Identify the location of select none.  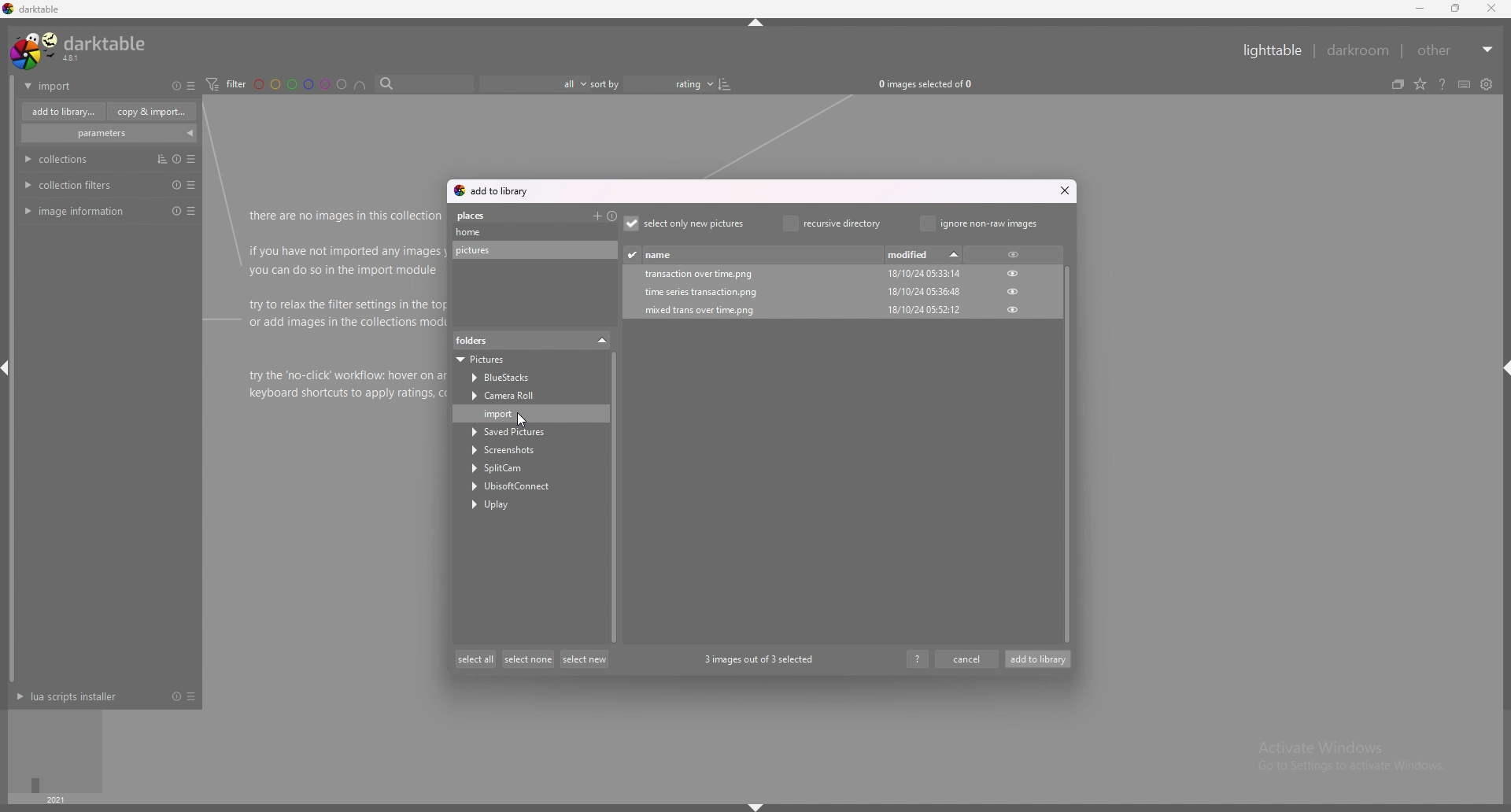
(529, 659).